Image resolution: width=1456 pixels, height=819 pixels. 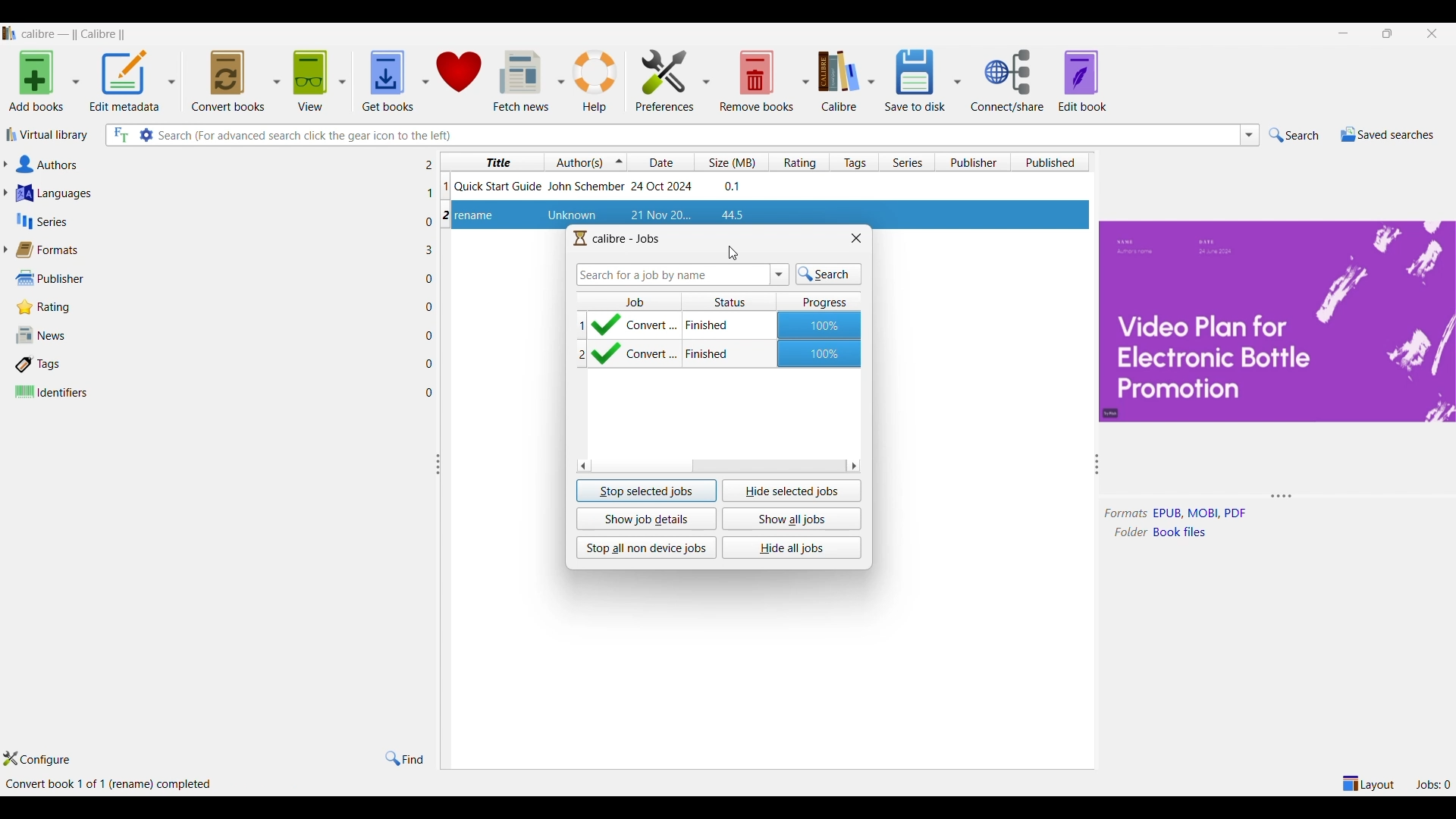 I want to click on Size column, so click(x=731, y=162).